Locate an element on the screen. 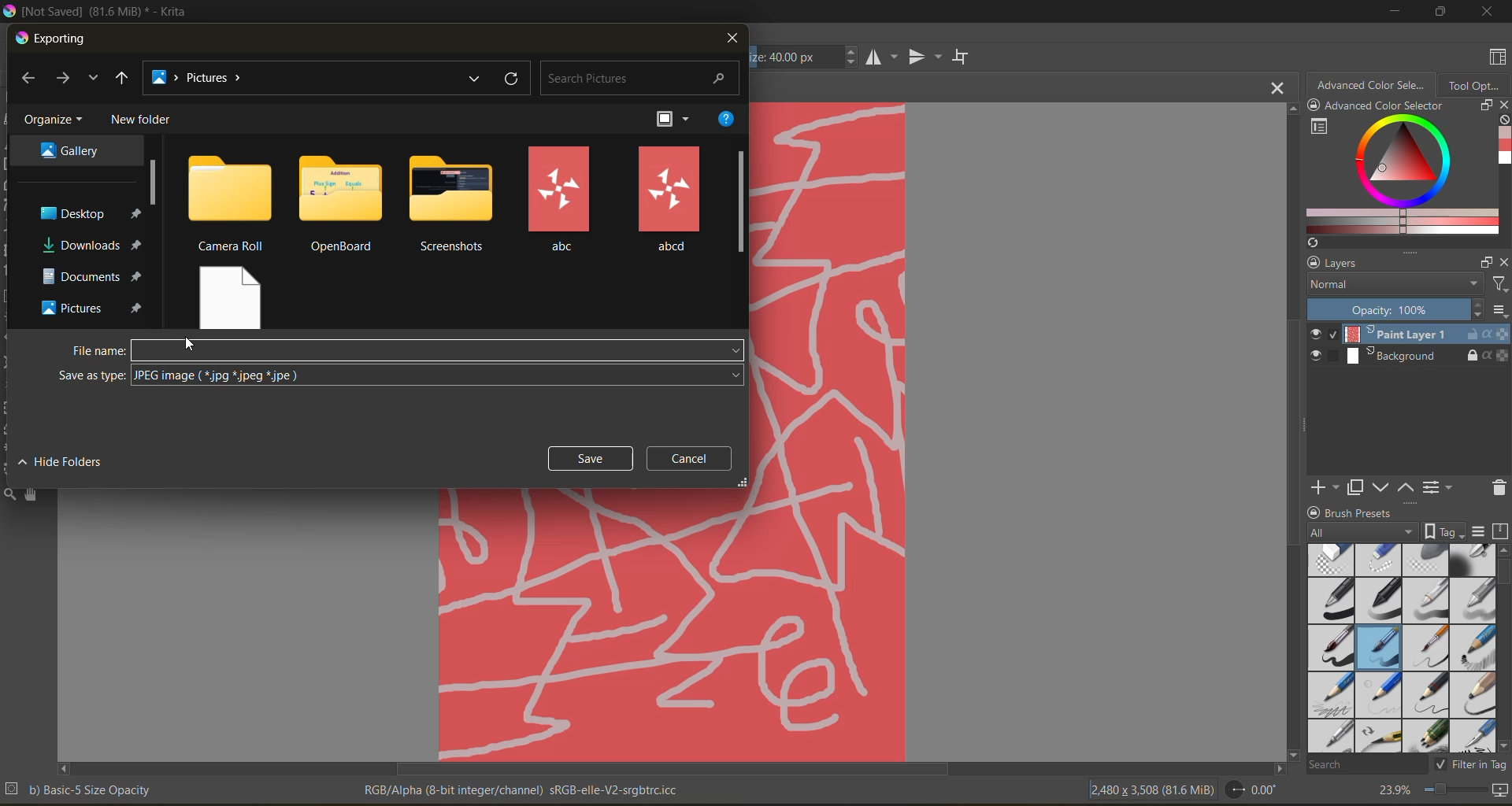 Image resolution: width=1512 pixels, height=806 pixels. hide folders is located at coordinates (65, 460).